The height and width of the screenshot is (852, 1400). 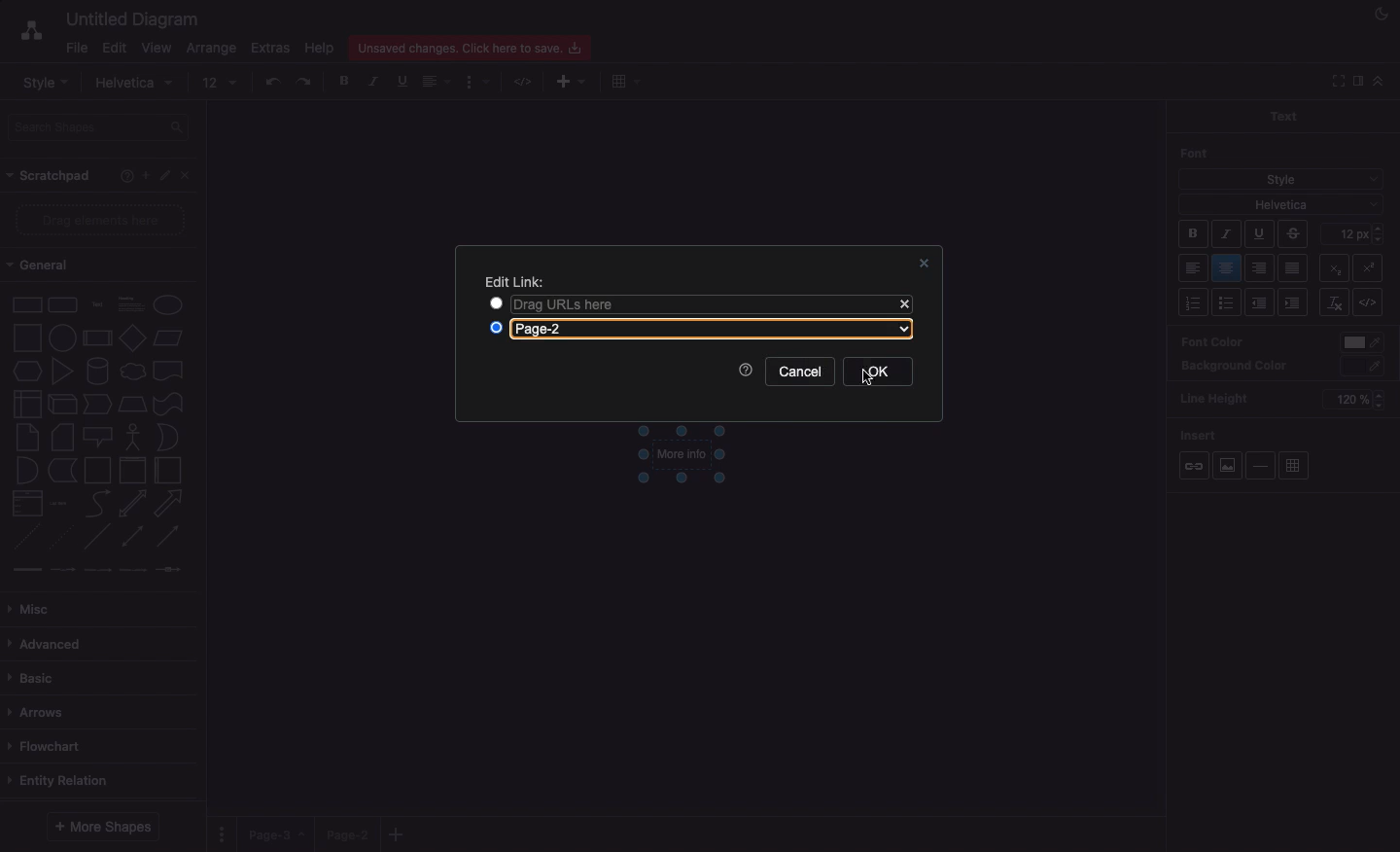 I want to click on Checkbox, so click(x=498, y=329).